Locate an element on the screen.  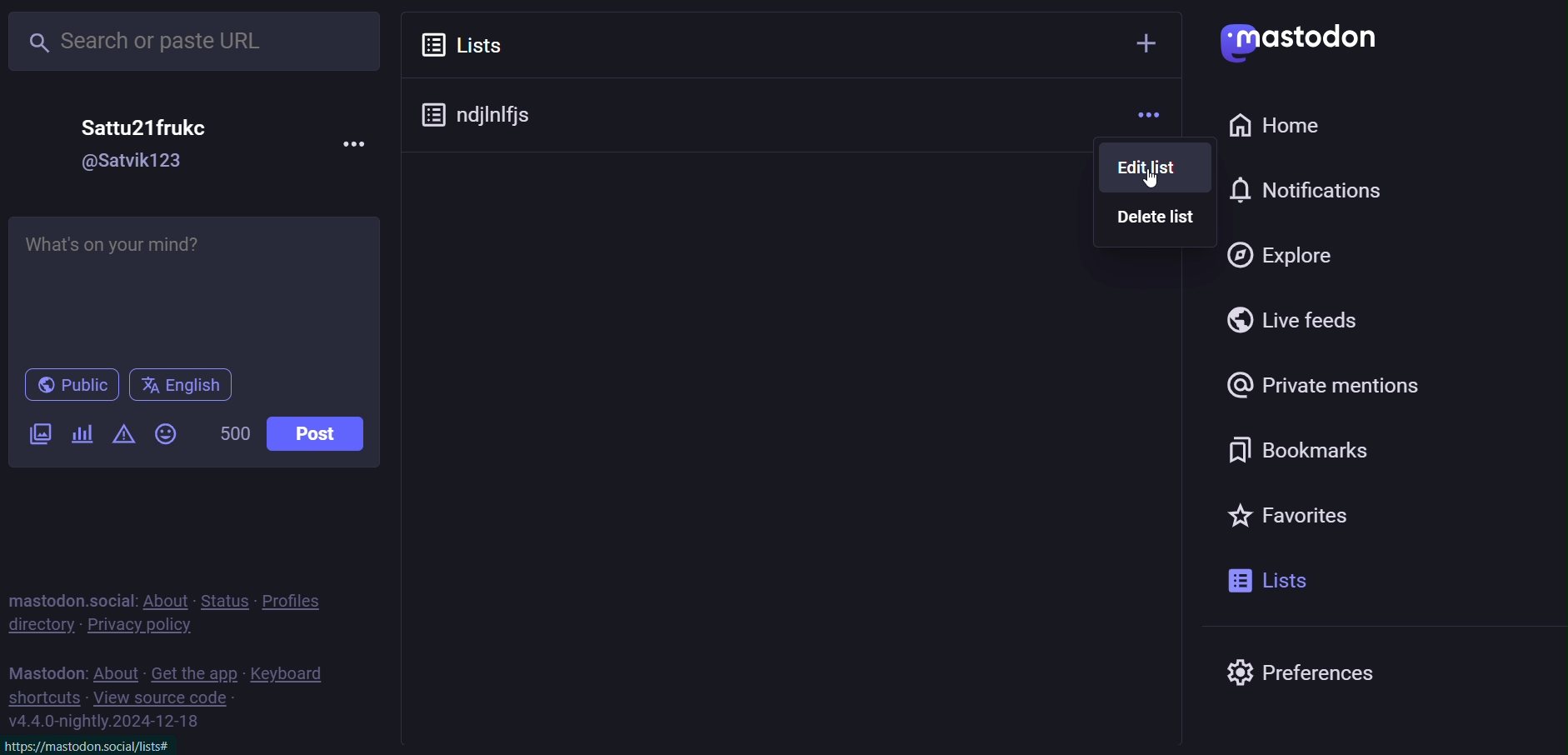
search or paste URL is located at coordinates (200, 37).